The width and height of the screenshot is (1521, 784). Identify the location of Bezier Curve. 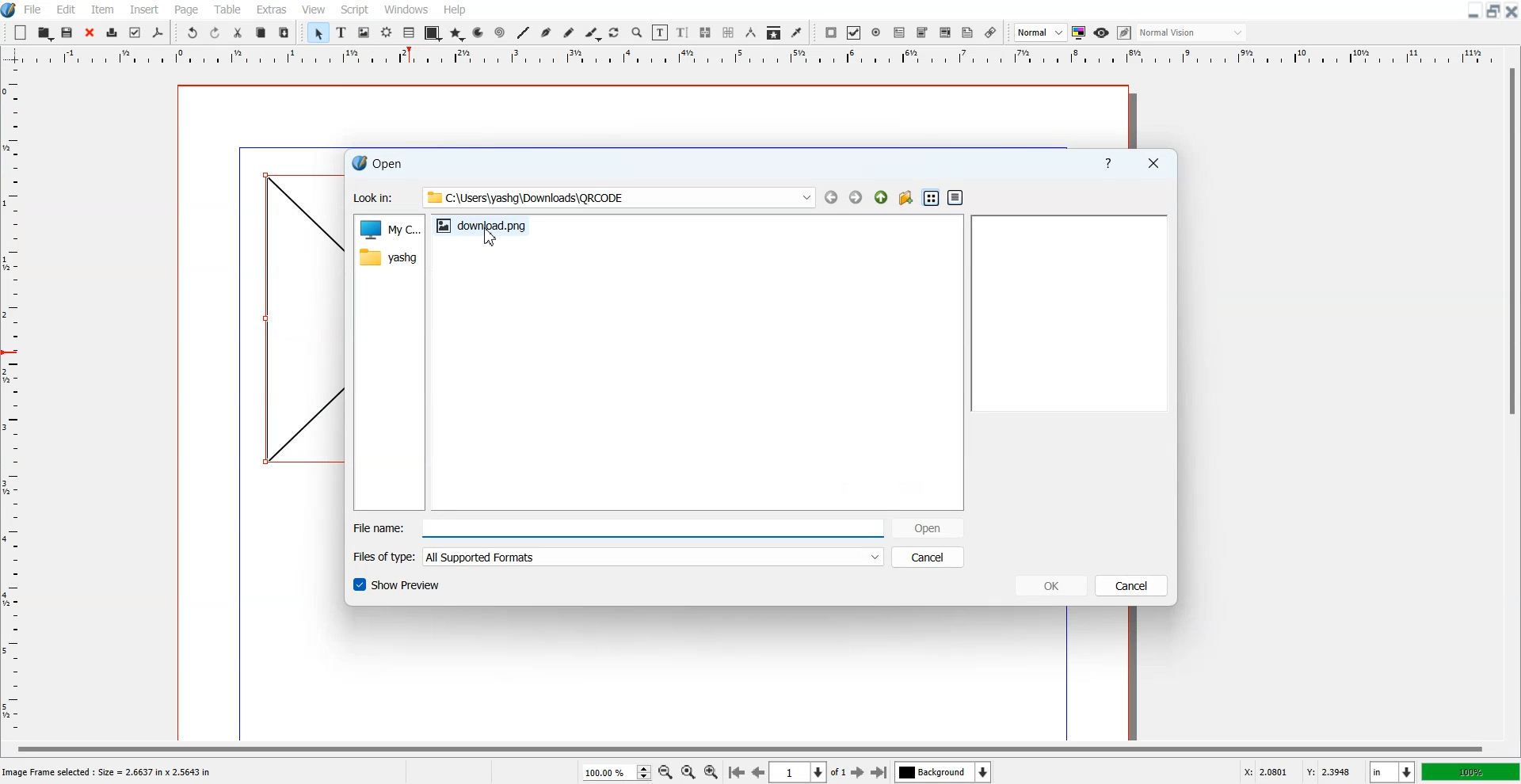
(546, 32).